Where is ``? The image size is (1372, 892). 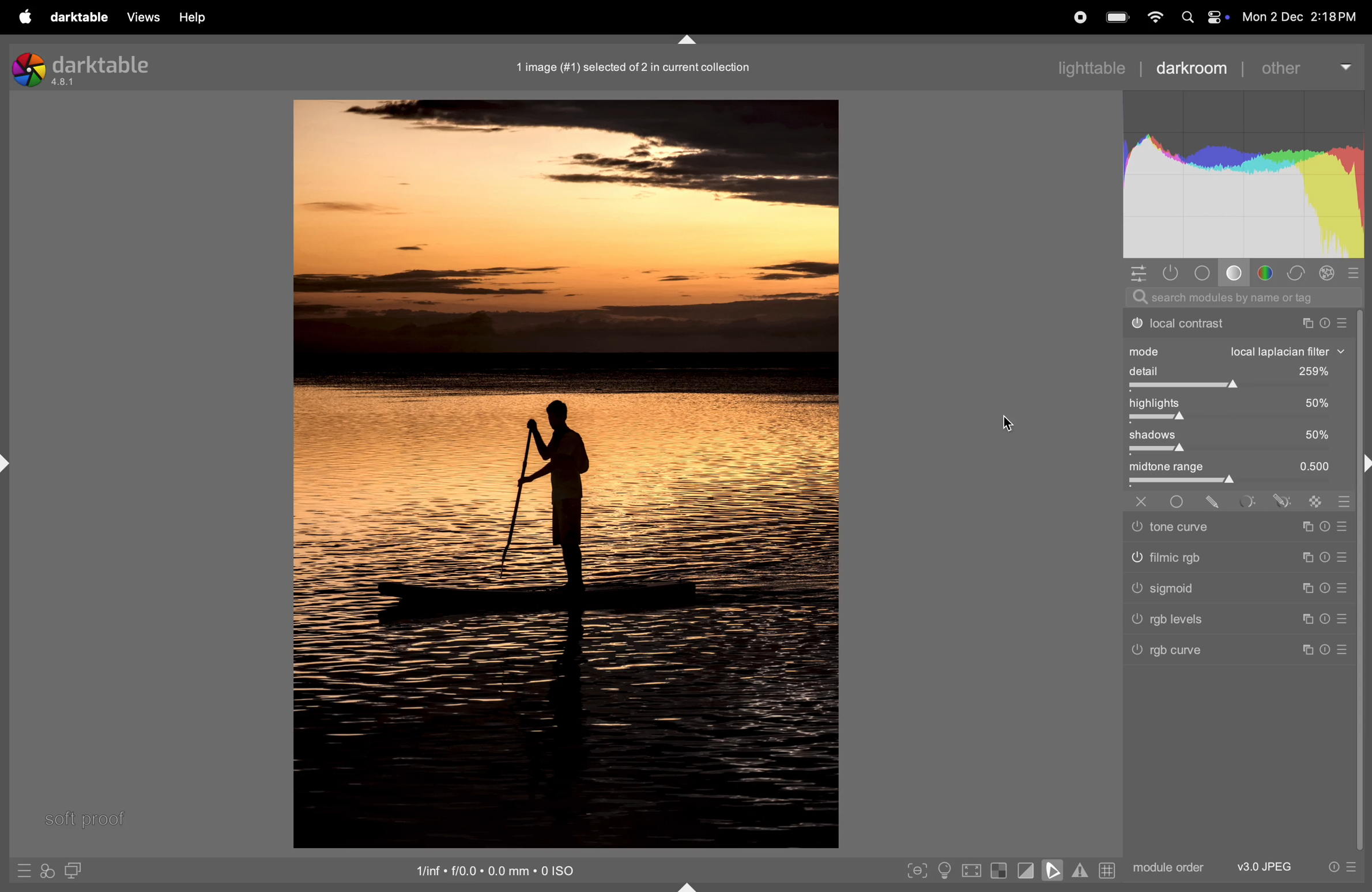  is located at coordinates (1184, 526).